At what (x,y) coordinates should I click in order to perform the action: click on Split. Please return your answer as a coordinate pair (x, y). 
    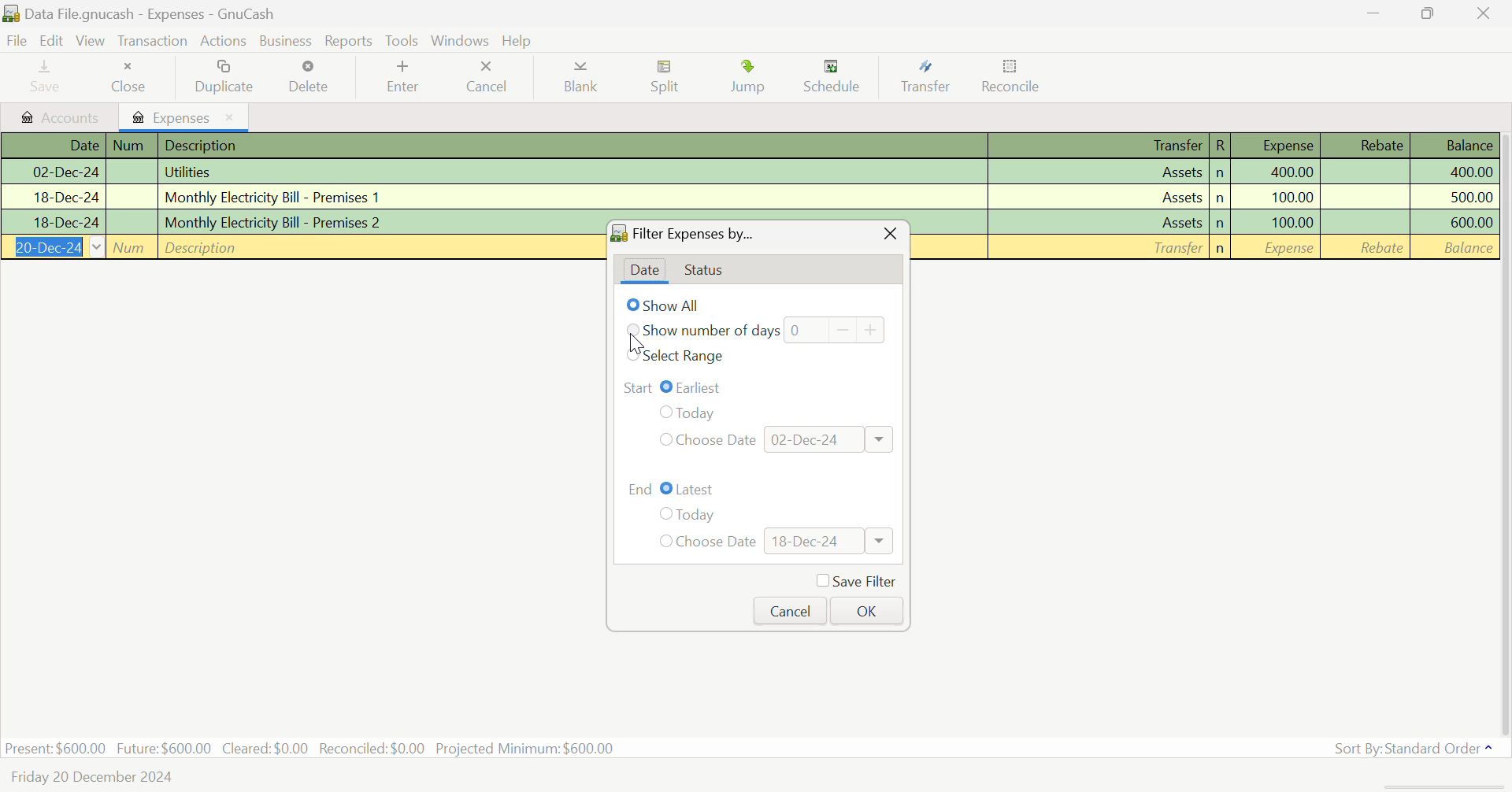
    Looking at the image, I should click on (668, 79).